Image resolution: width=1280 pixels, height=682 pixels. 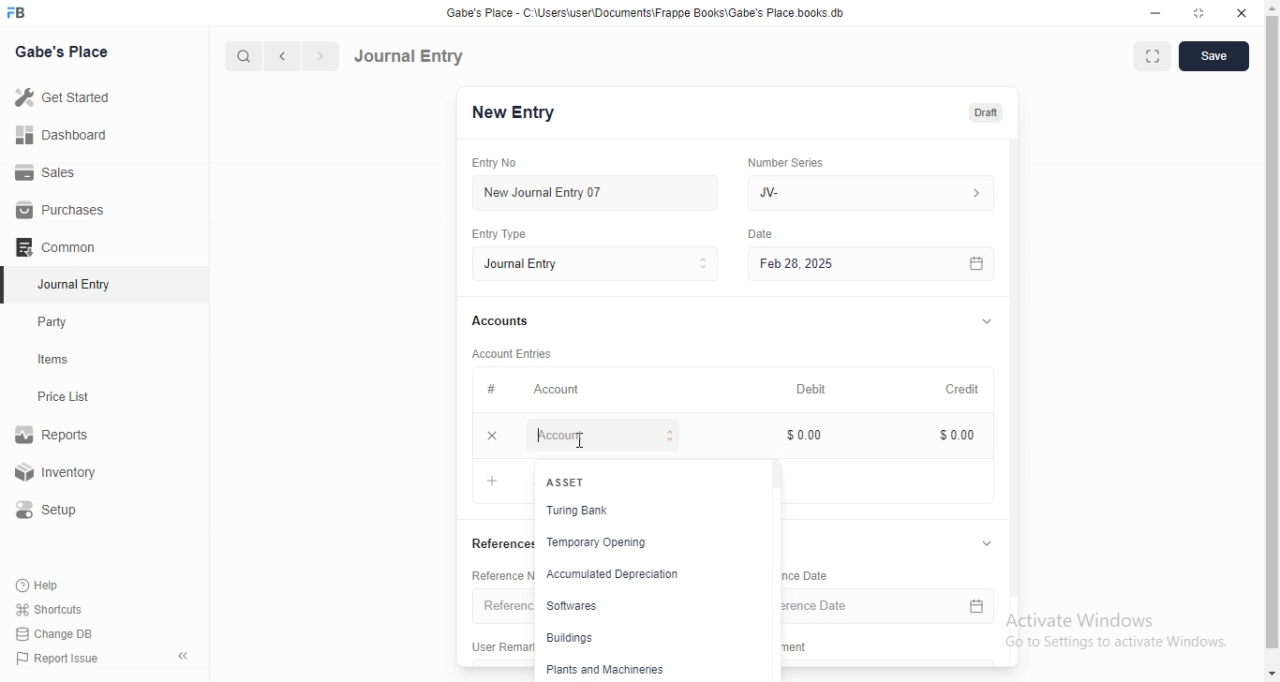 What do you see at coordinates (18, 13) in the screenshot?
I see `FB logo` at bounding box center [18, 13].